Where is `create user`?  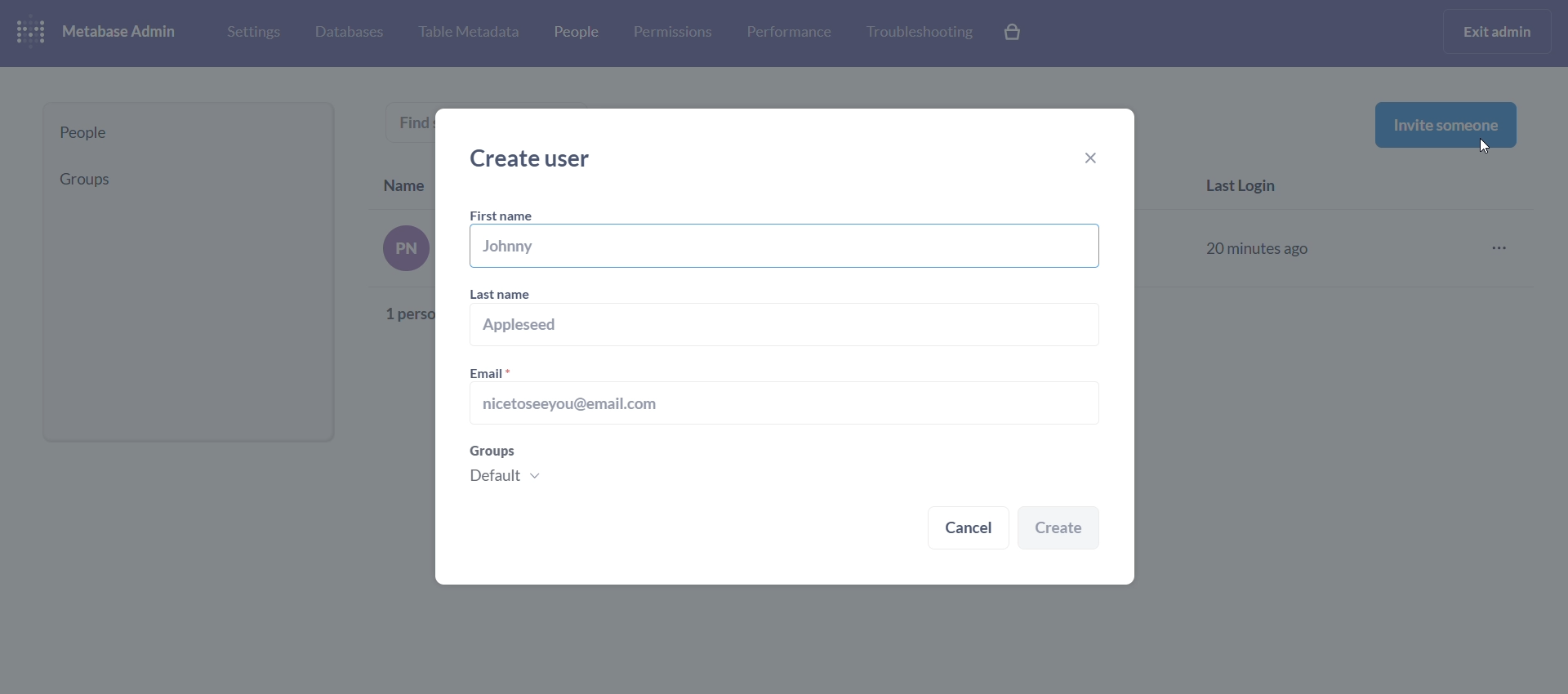 create user is located at coordinates (537, 158).